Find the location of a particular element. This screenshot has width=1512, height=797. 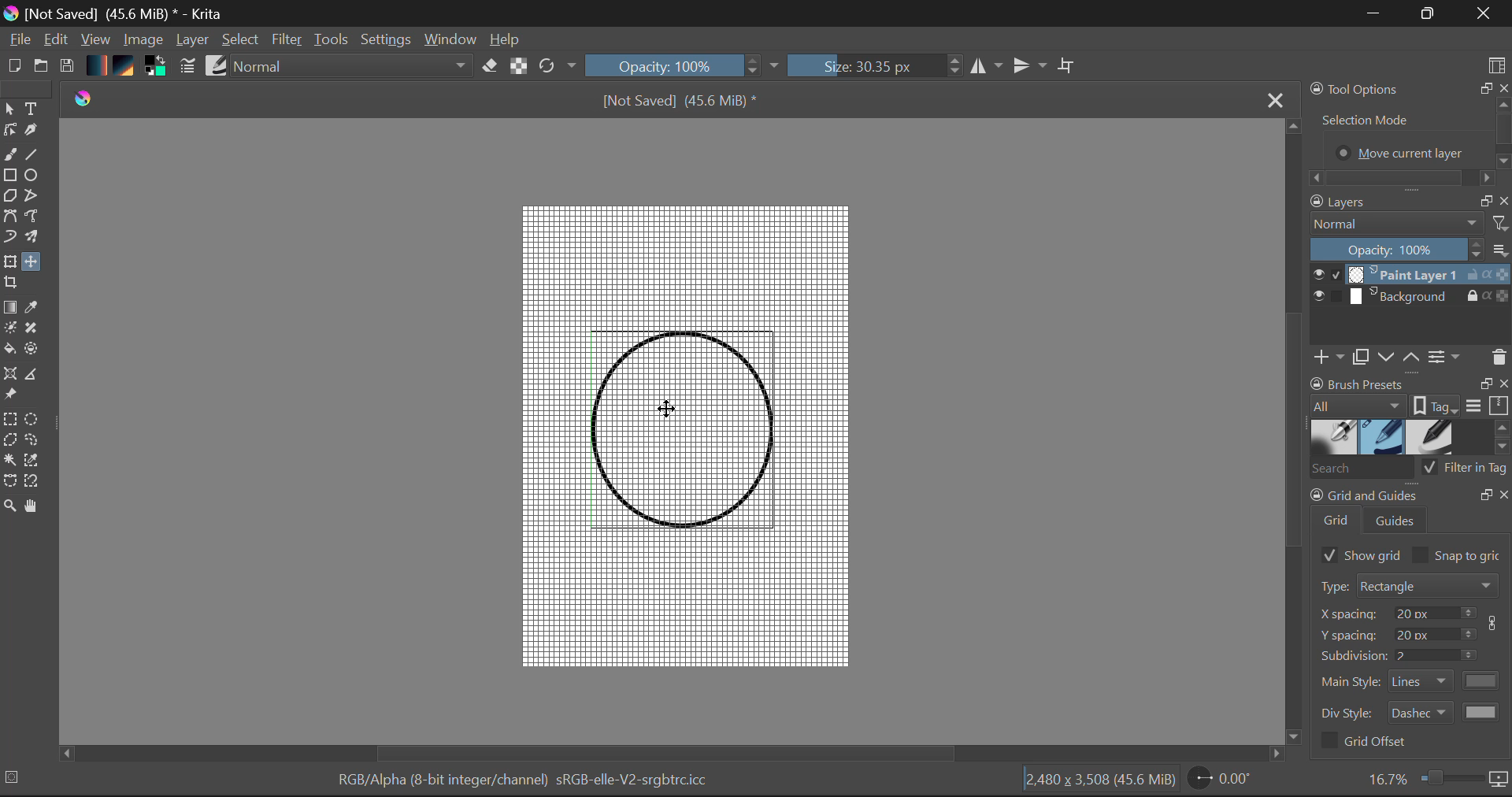

View is located at coordinates (96, 39).